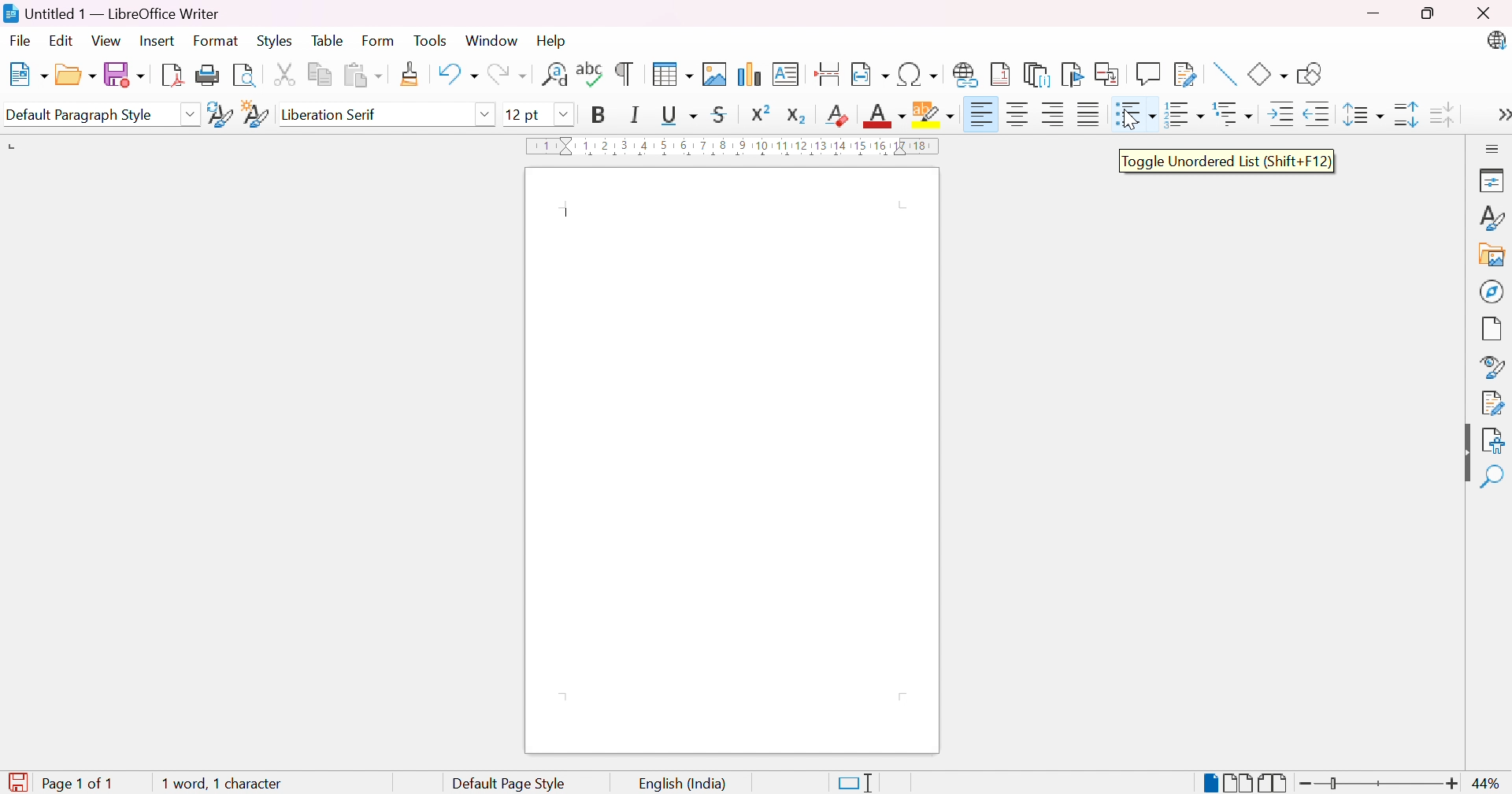  Describe the element at coordinates (884, 116) in the screenshot. I see `Font color` at that location.